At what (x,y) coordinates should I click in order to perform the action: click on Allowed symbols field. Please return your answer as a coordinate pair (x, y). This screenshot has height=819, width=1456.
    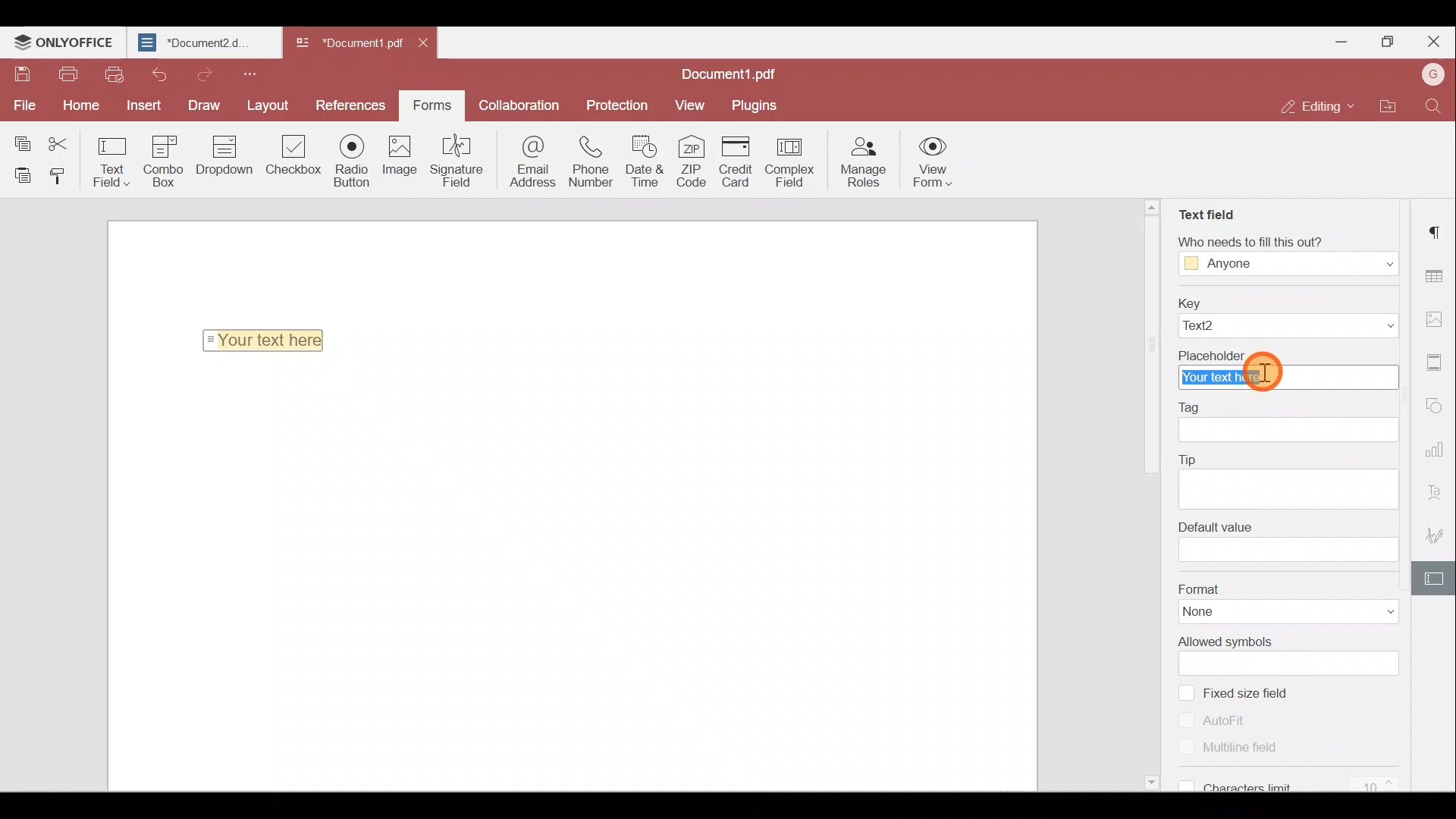
    Looking at the image, I should click on (1297, 664).